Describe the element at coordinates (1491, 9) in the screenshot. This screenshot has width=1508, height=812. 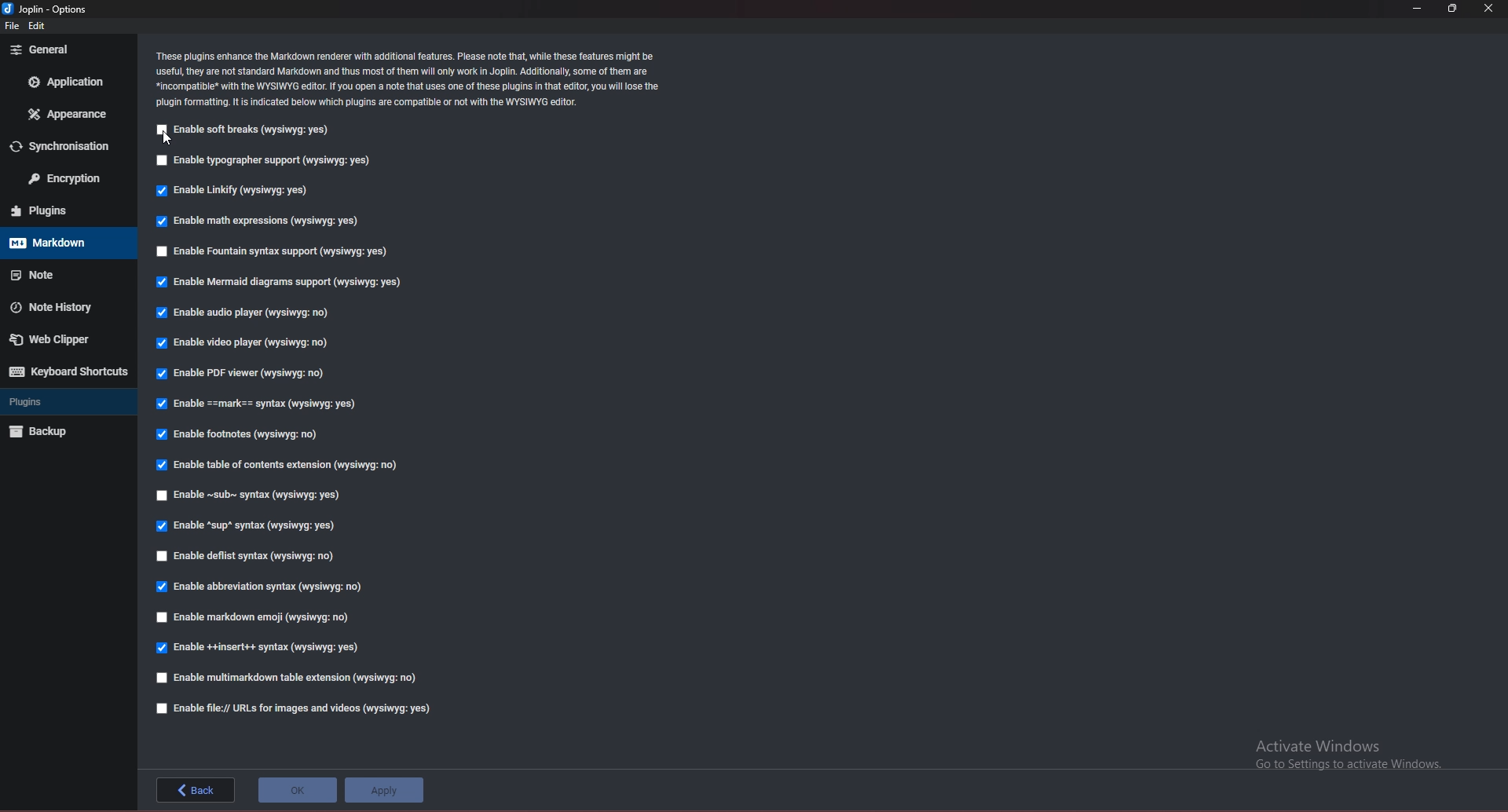
I see `close` at that location.